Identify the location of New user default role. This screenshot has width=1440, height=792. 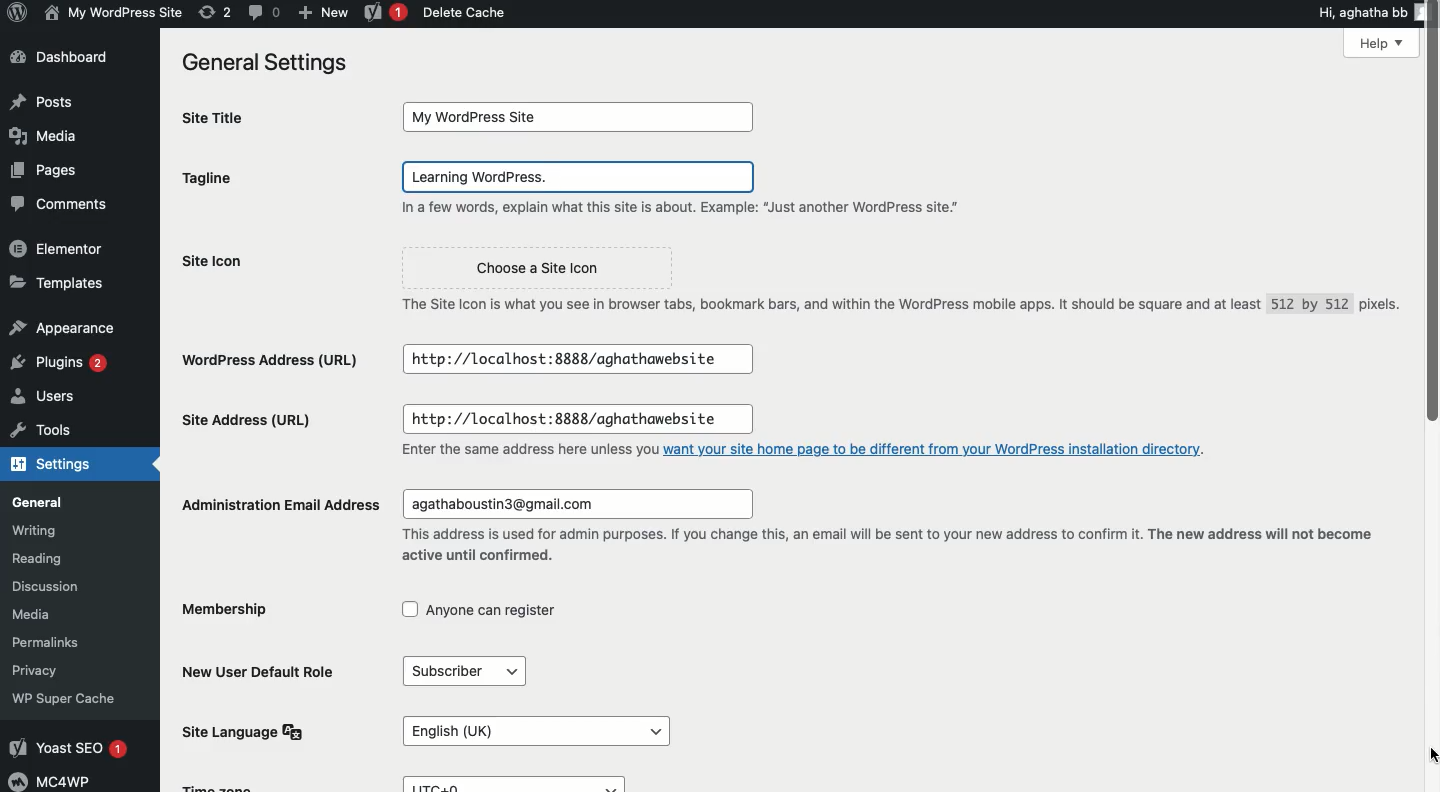
(262, 671).